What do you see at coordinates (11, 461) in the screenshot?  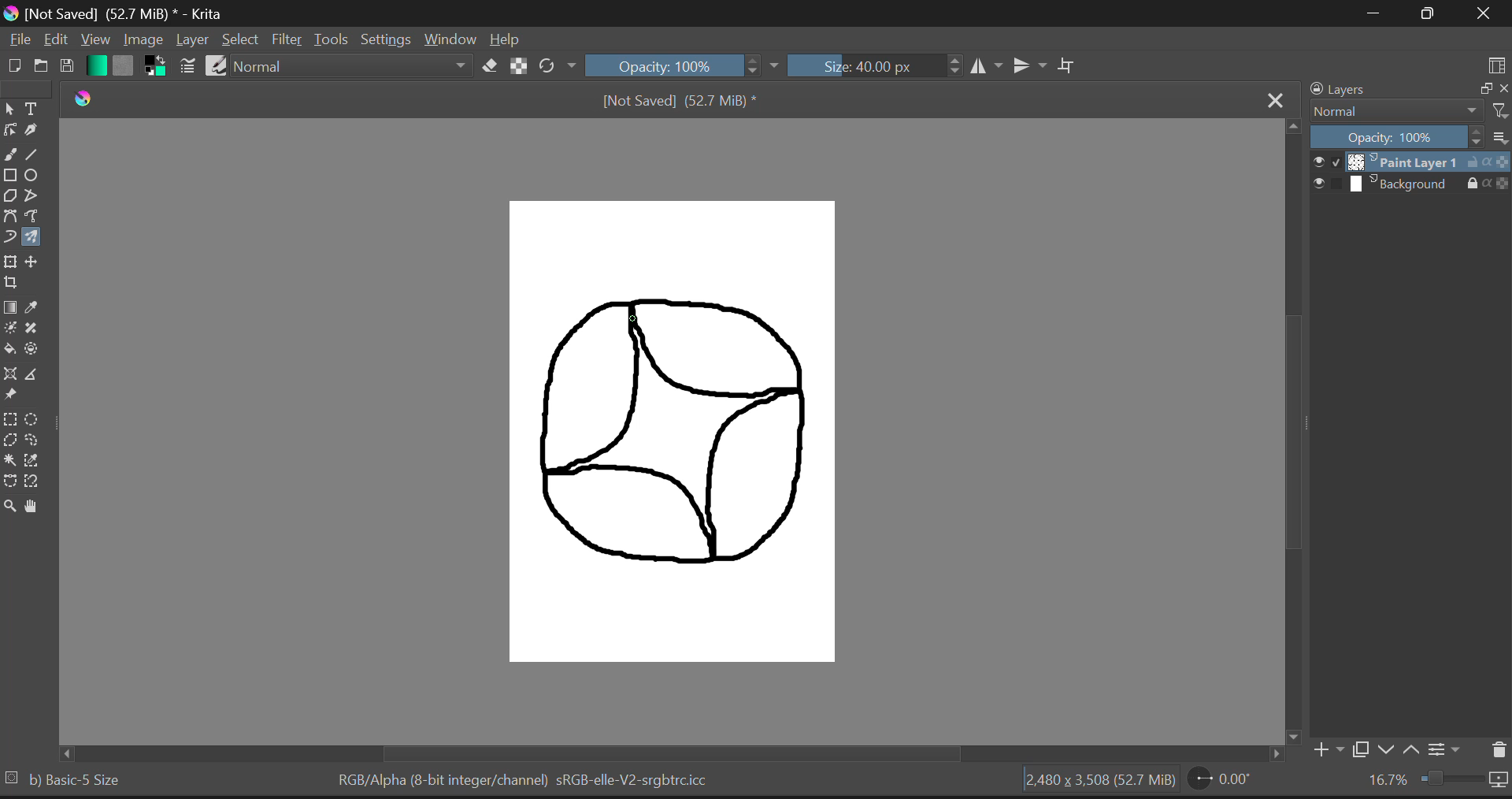 I see `Continuous Selection` at bounding box center [11, 461].